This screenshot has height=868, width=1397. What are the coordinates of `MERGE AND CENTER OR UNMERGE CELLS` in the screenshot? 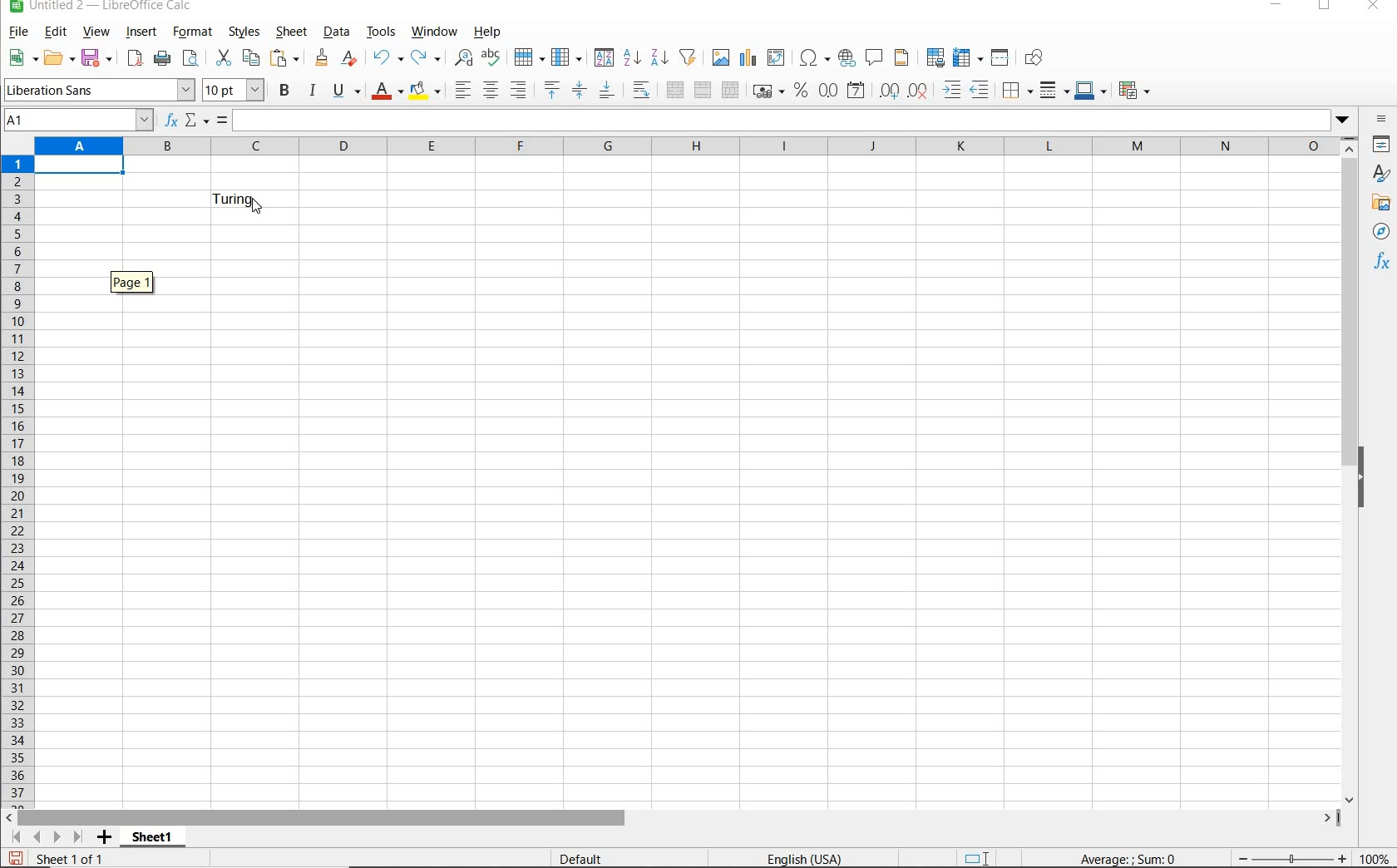 It's located at (676, 91).